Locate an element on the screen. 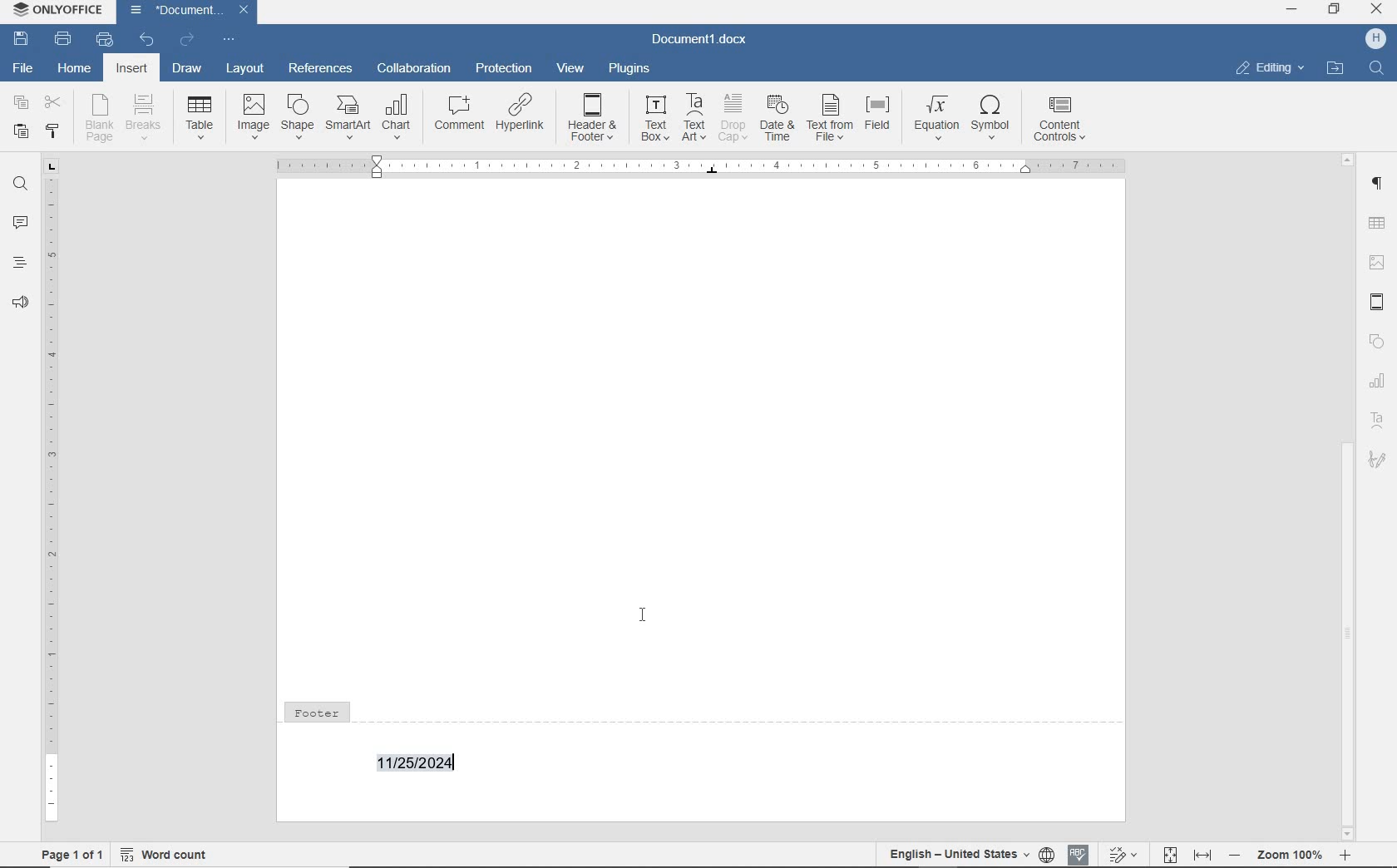  home is located at coordinates (74, 70).